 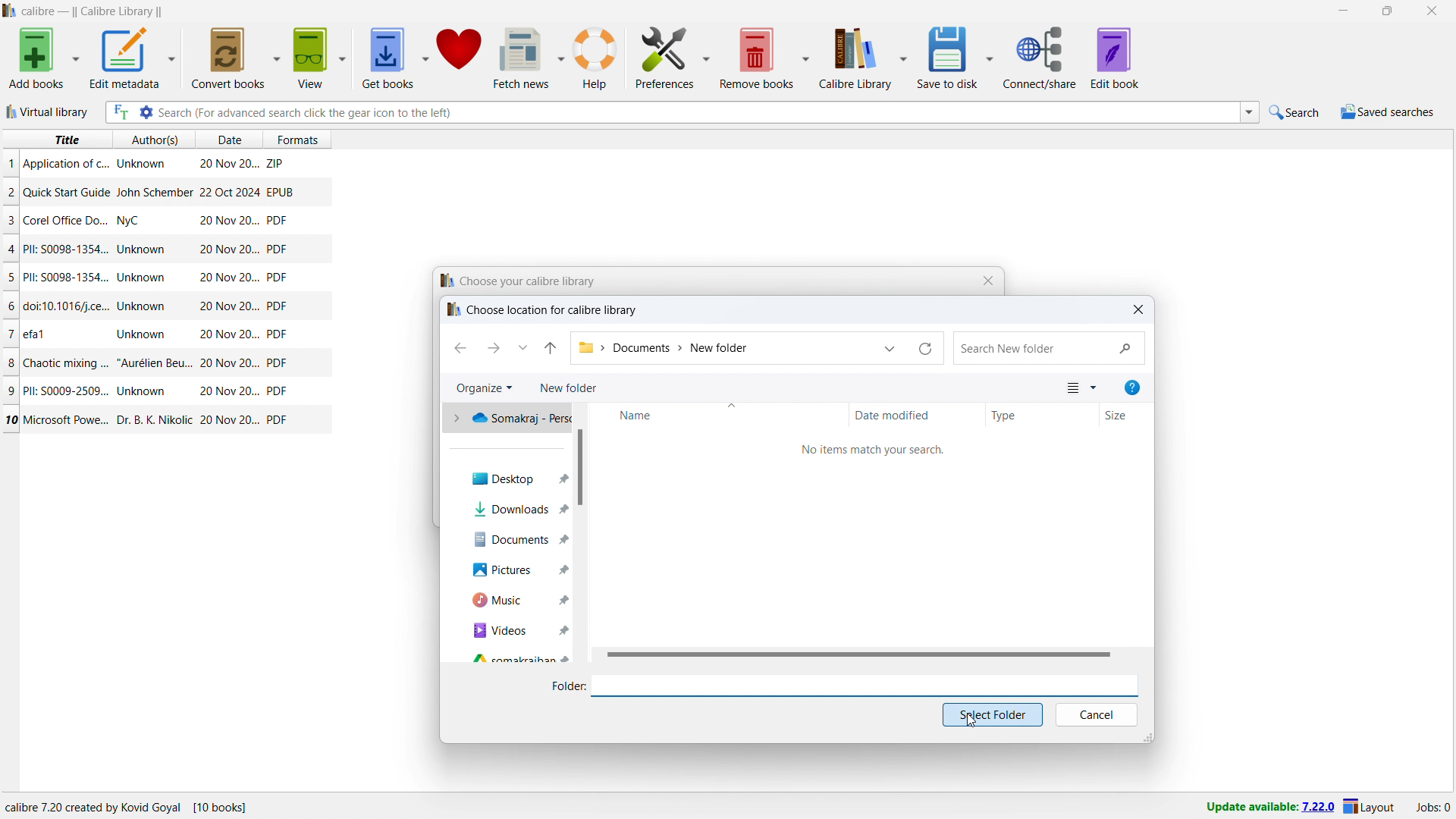 I want to click on ZIP, so click(x=276, y=161).